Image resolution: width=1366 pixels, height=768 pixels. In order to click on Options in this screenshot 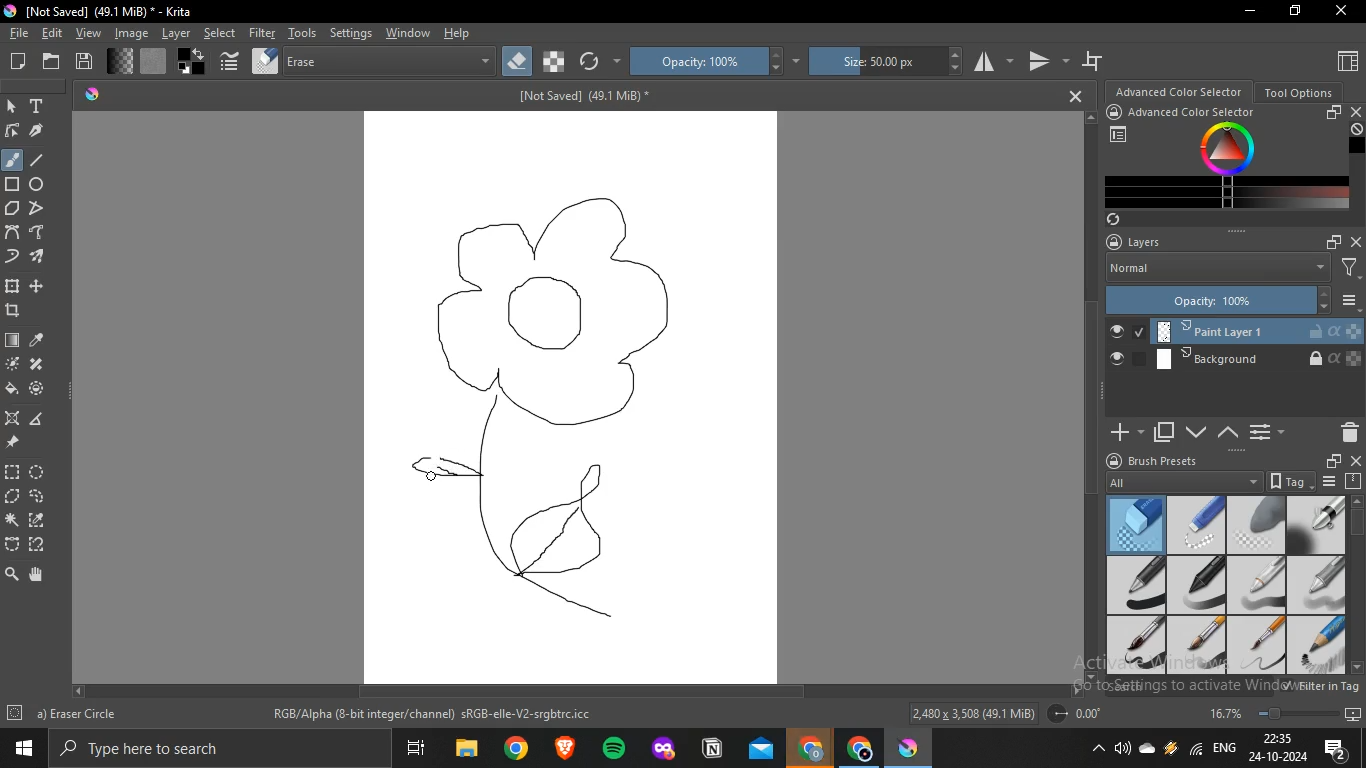, I will do `click(1265, 432)`.